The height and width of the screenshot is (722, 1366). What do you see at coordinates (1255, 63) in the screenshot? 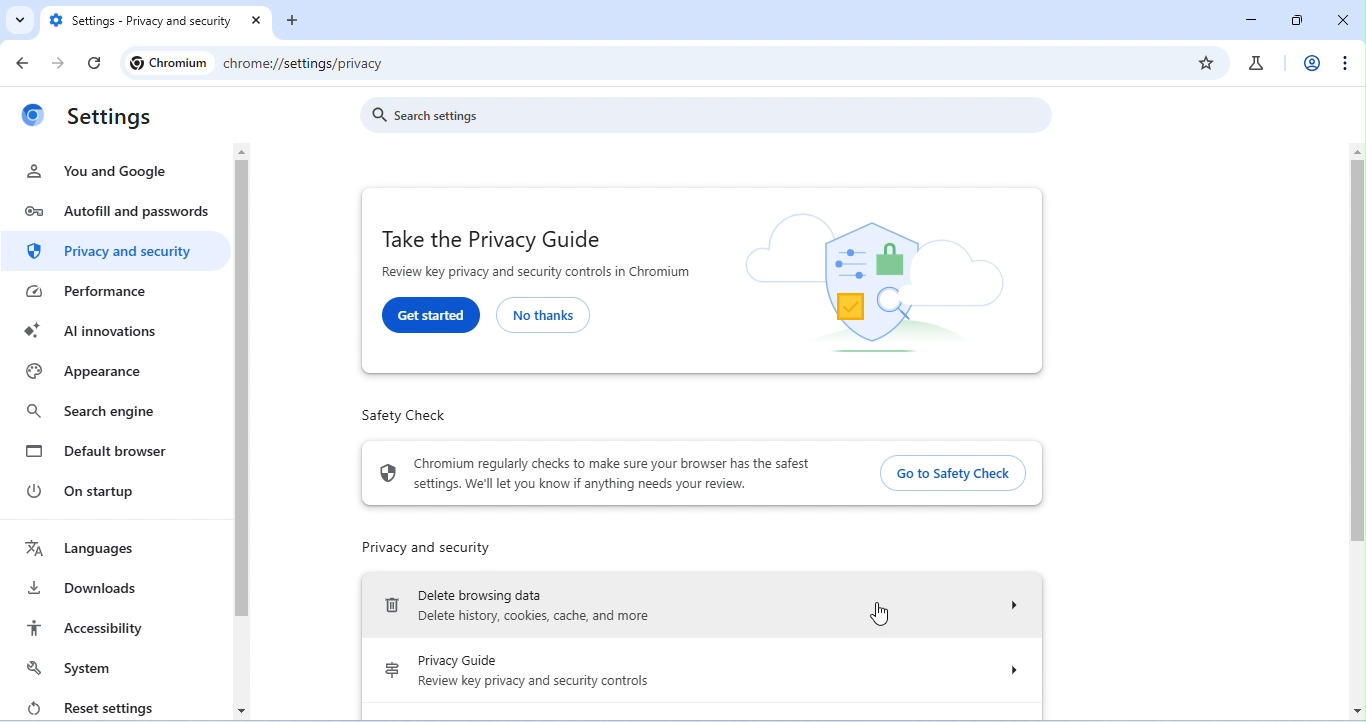
I see `chrome labs` at bounding box center [1255, 63].